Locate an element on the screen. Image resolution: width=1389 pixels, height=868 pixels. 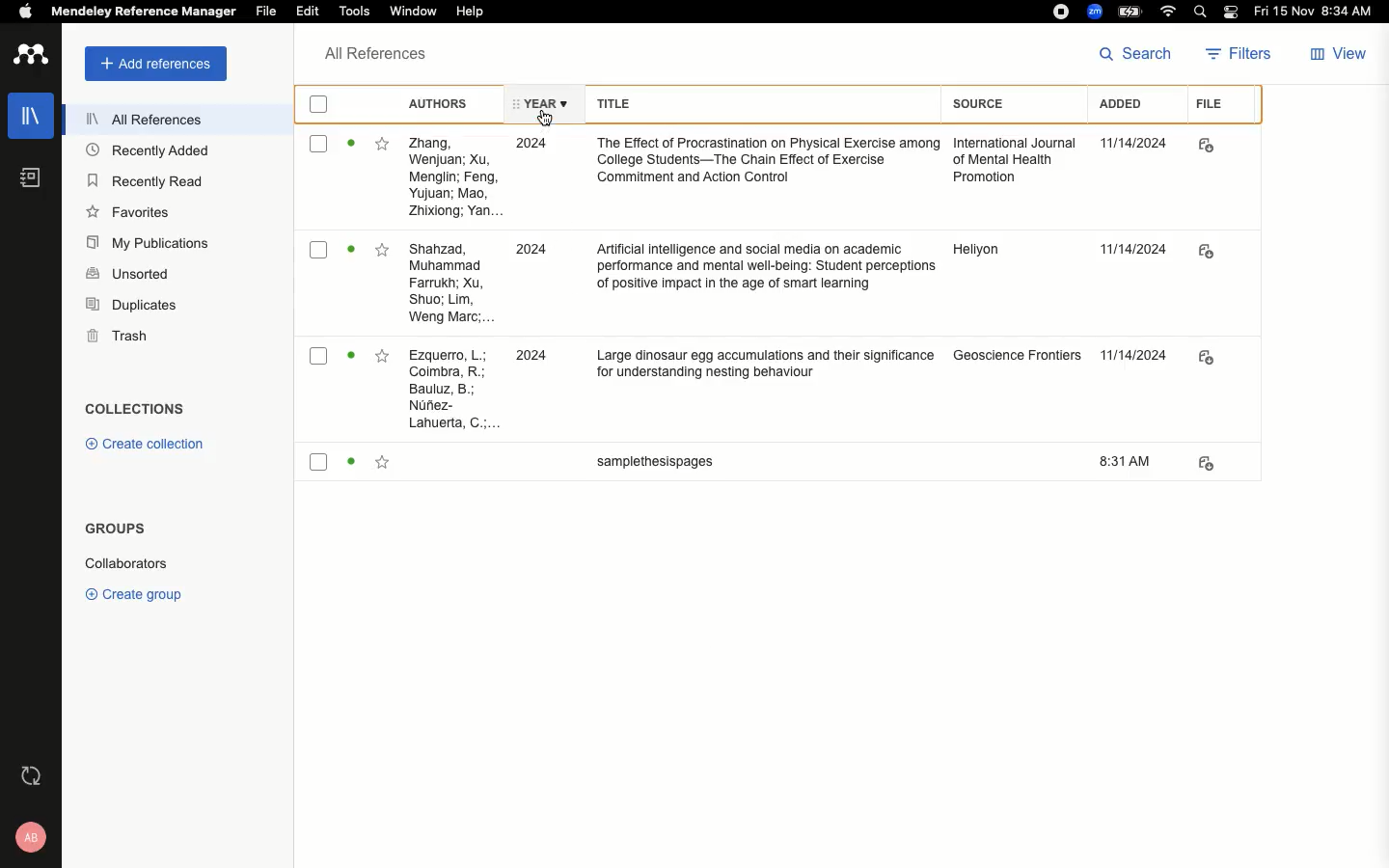
titlle  is located at coordinates (646, 467).